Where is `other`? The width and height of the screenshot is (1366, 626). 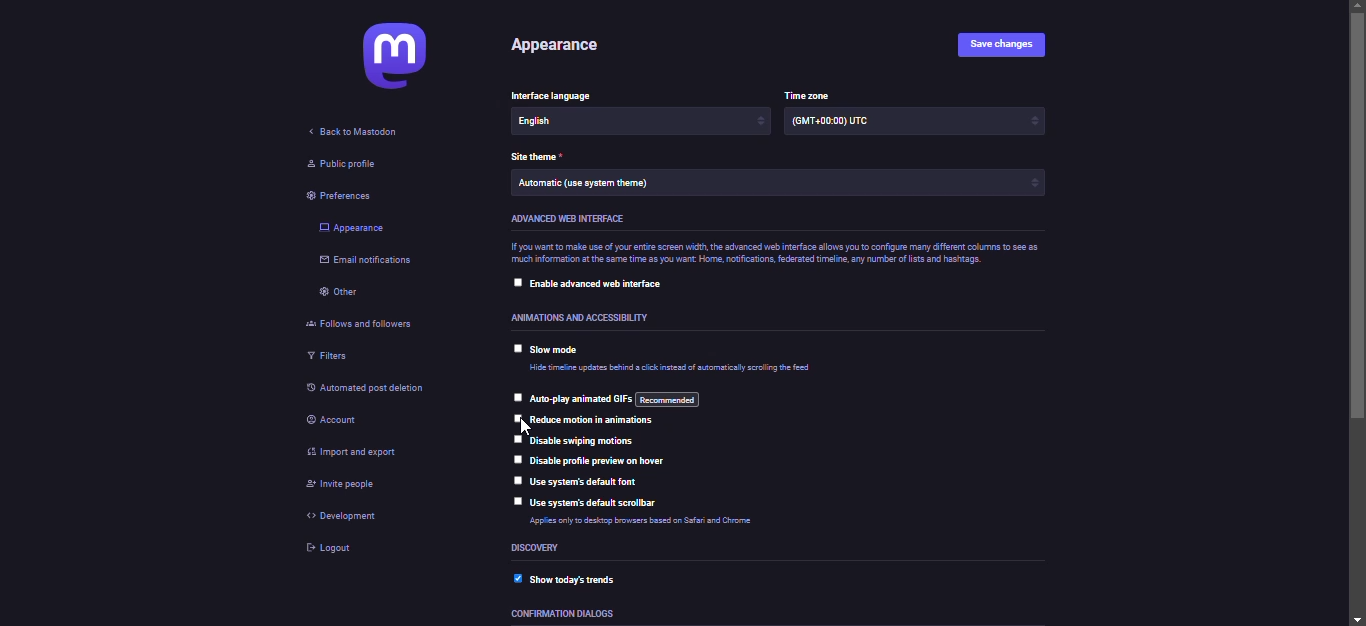 other is located at coordinates (342, 293).